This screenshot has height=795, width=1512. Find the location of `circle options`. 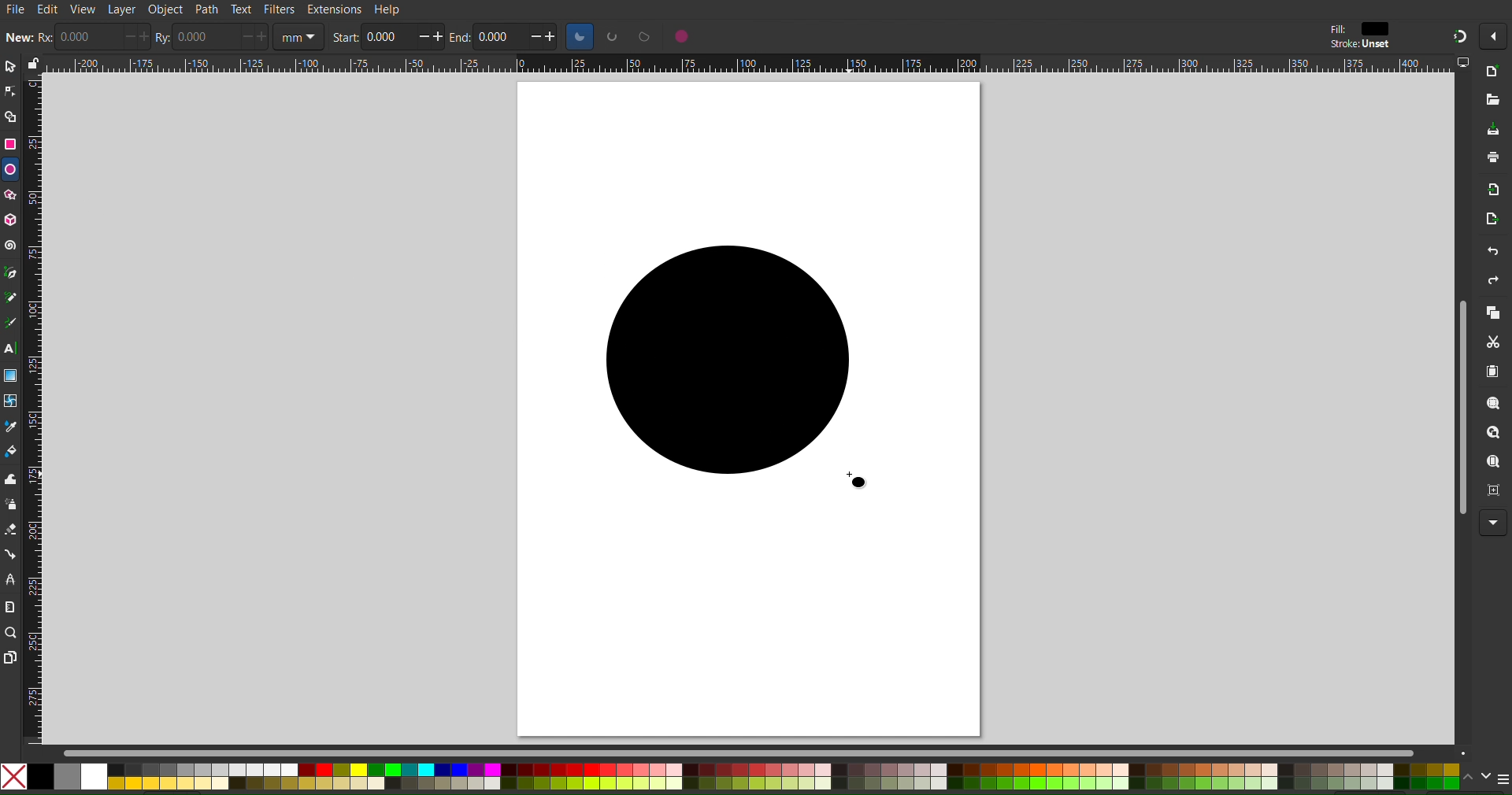

circle options is located at coordinates (681, 36).